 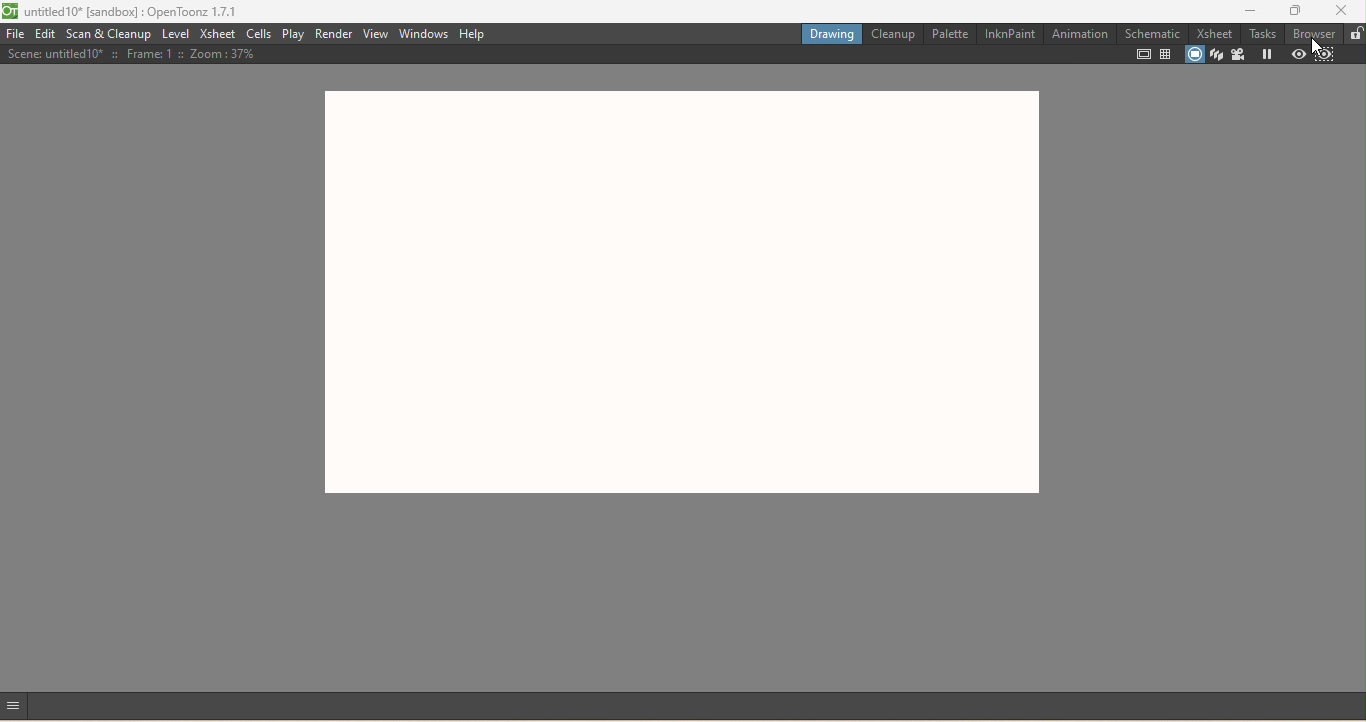 What do you see at coordinates (291, 35) in the screenshot?
I see `Play` at bounding box center [291, 35].